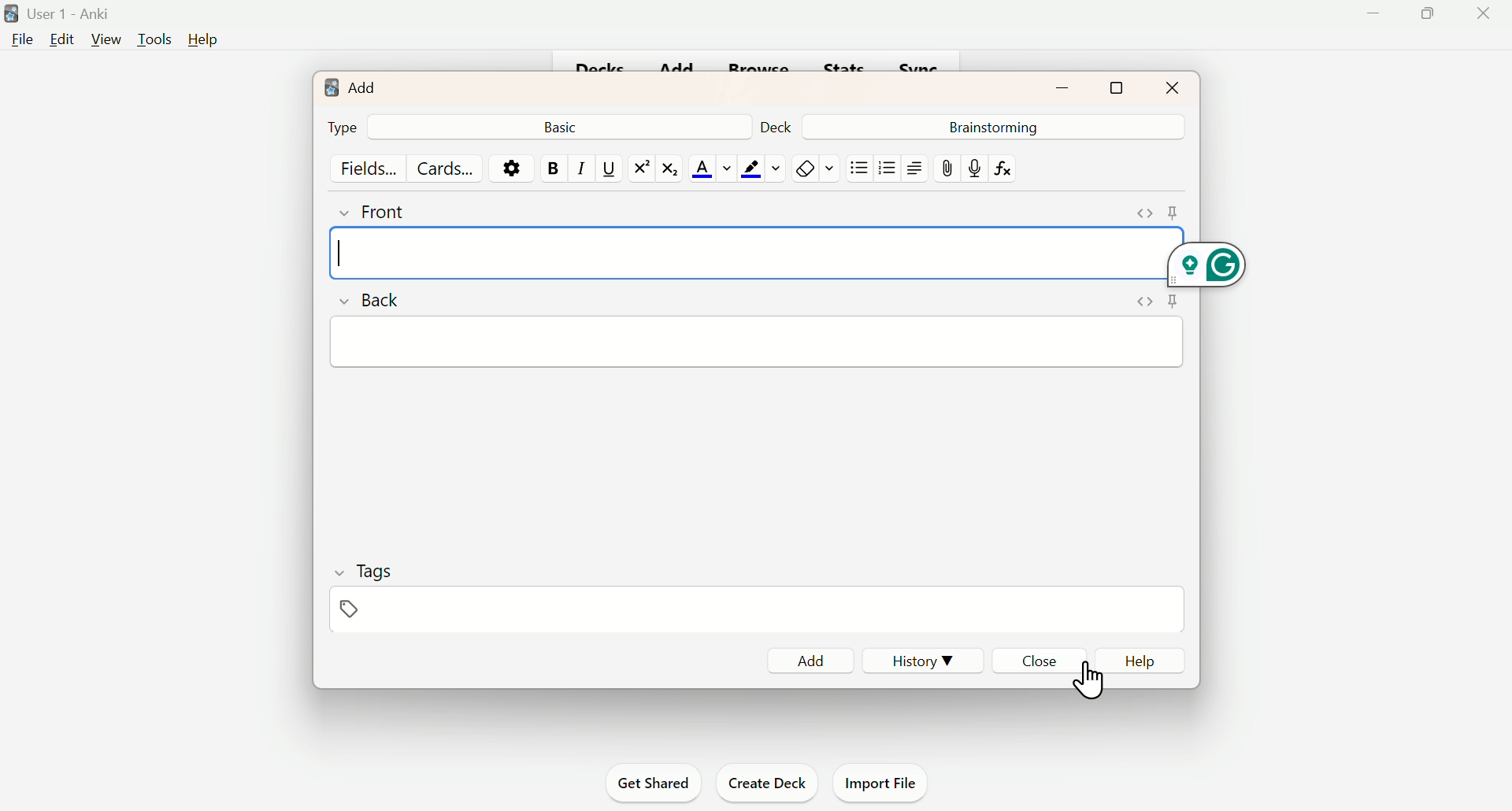  What do you see at coordinates (1432, 17) in the screenshot?
I see ` Maimize` at bounding box center [1432, 17].